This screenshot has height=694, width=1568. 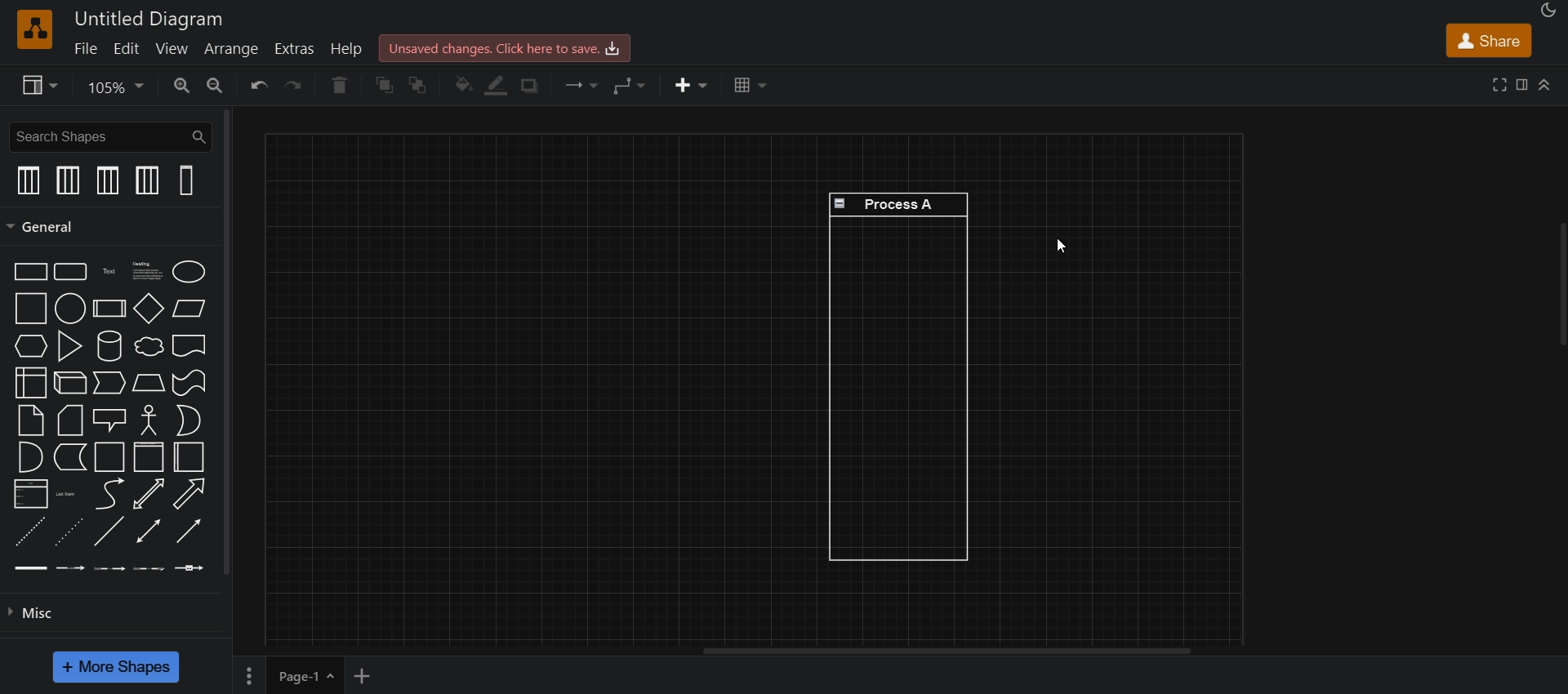 What do you see at coordinates (147, 347) in the screenshot?
I see `cloud` at bounding box center [147, 347].